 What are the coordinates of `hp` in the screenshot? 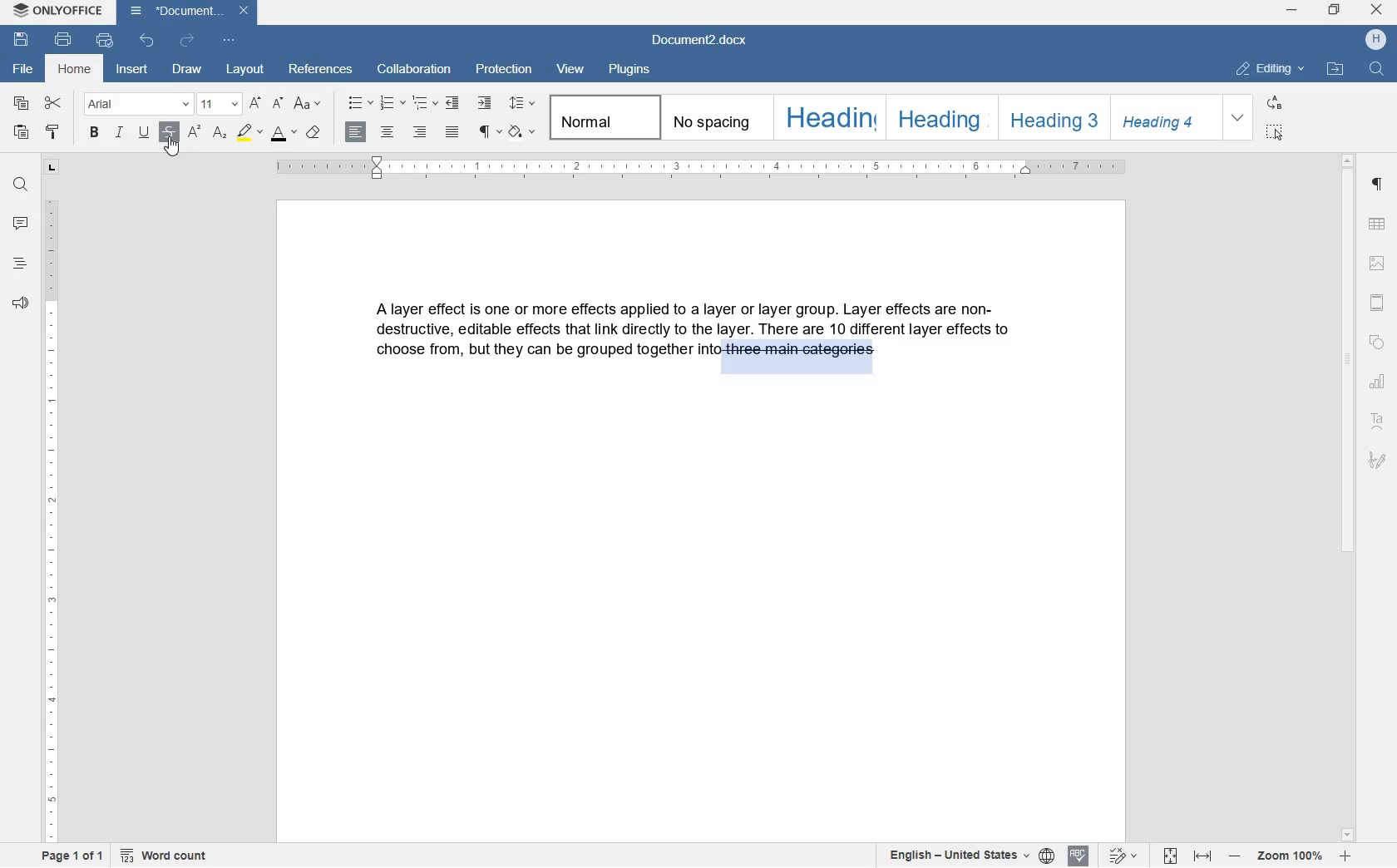 It's located at (1378, 40).